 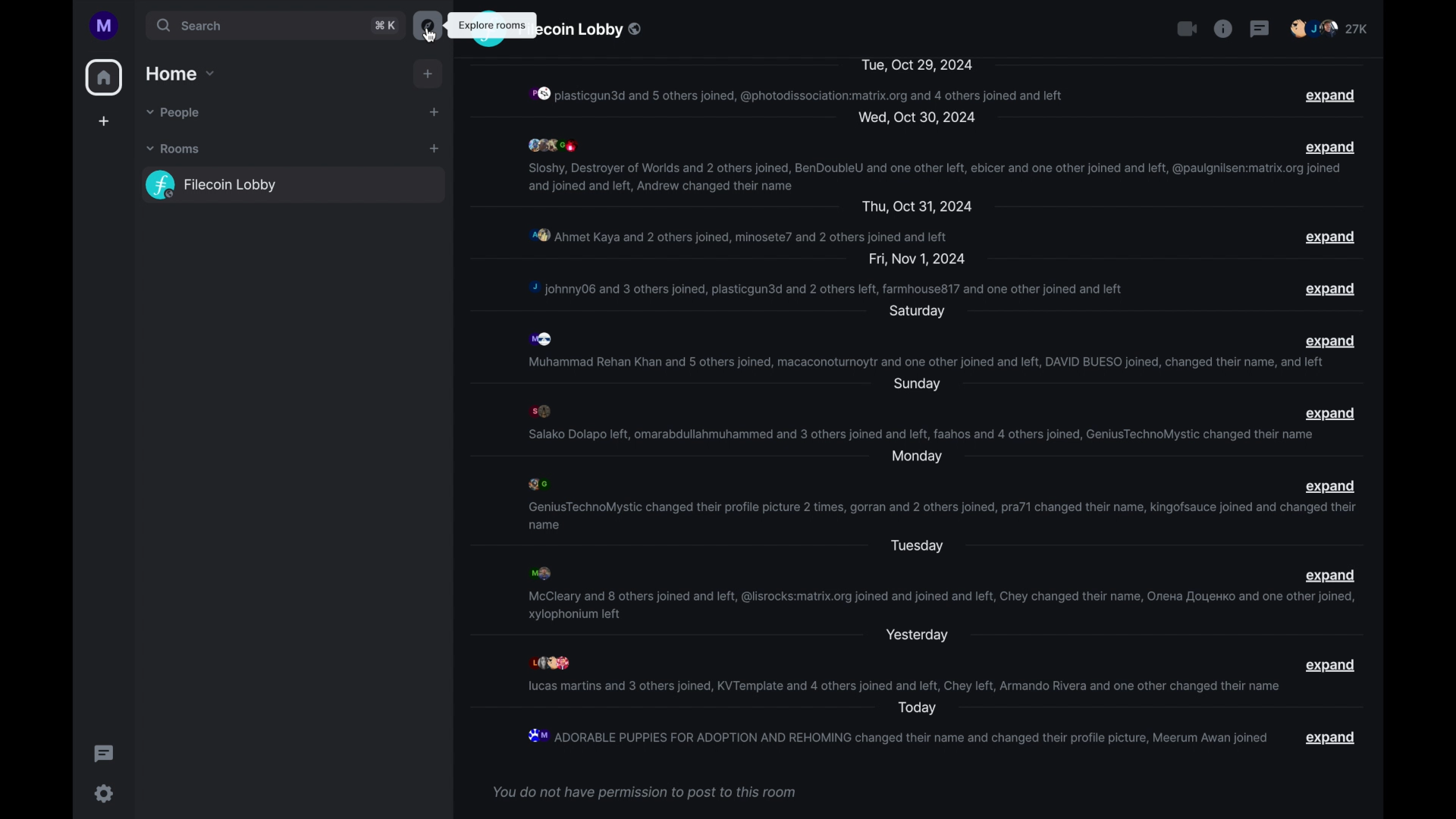 What do you see at coordinates (1187, 28) in the screenshot?
I see `video calls` at bounding box center [1187, 28].